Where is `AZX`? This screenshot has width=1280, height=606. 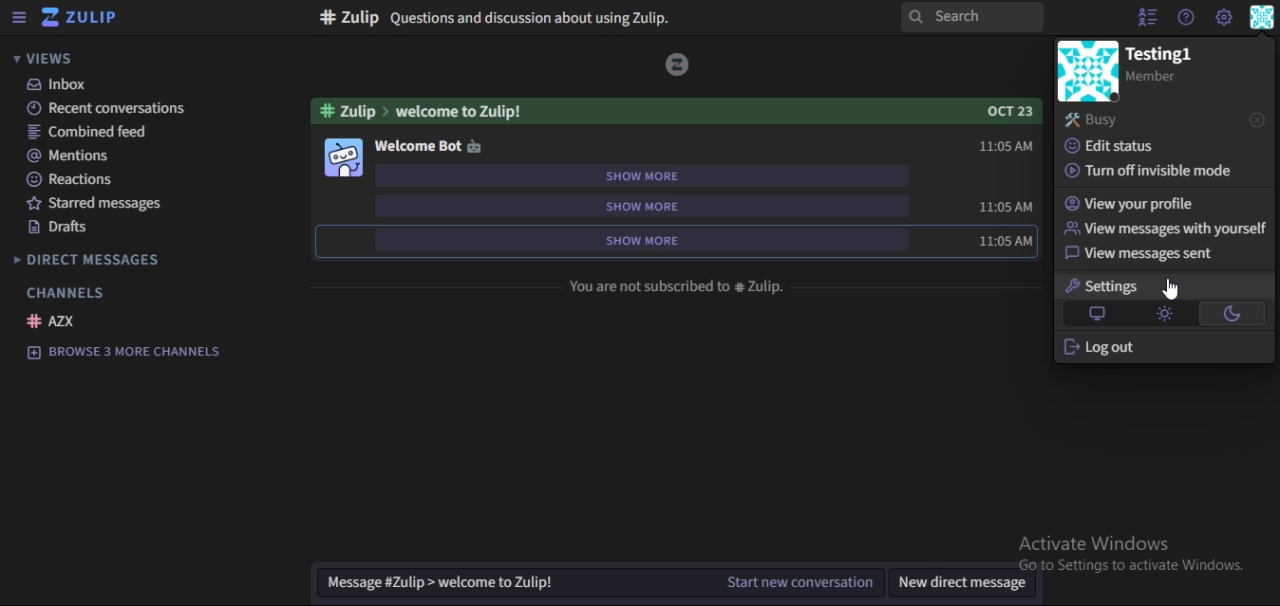
AZX is located at coordinates (56, 320).